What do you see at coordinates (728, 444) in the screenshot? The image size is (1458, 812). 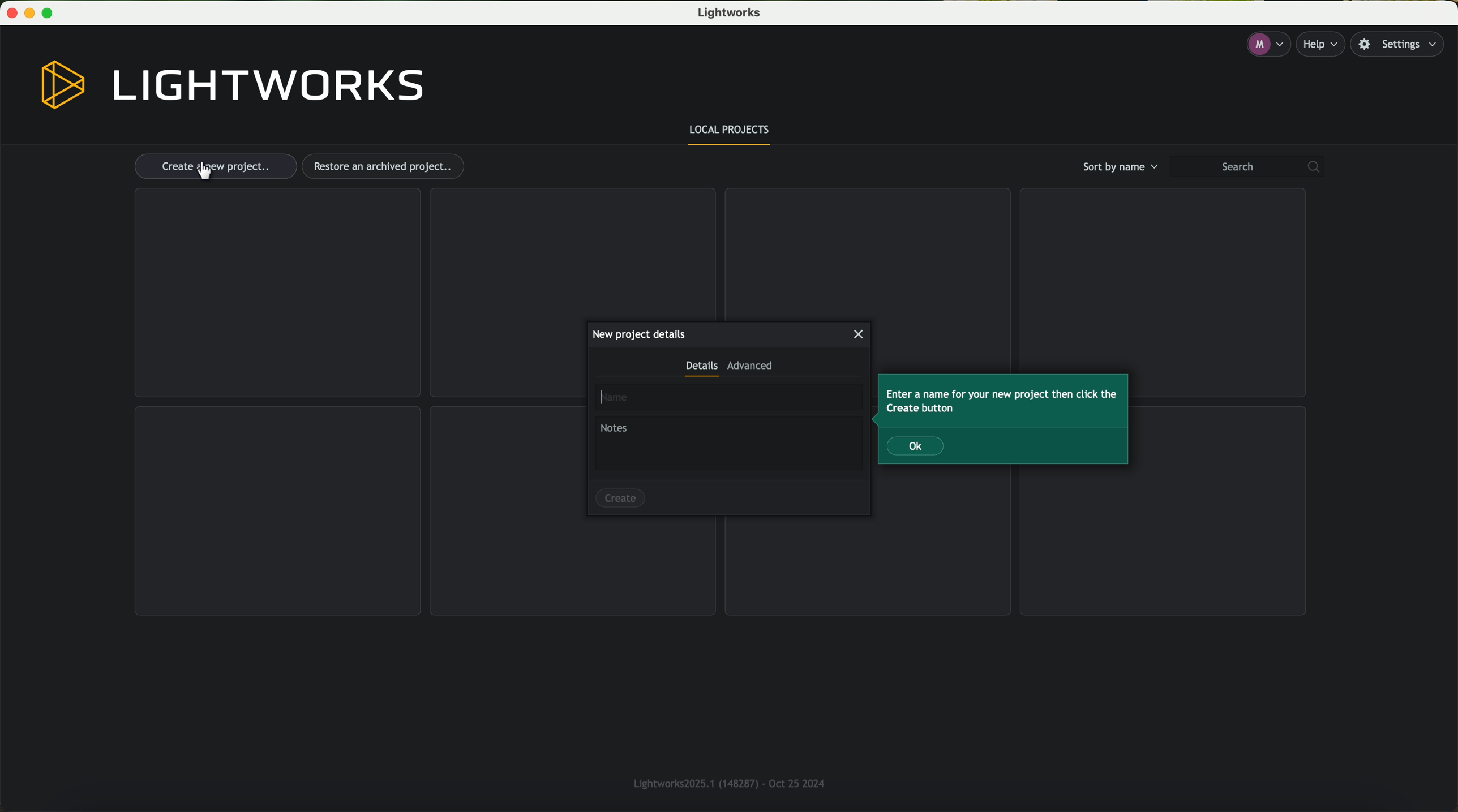 I see `notes` at bounding box center [728, 444].